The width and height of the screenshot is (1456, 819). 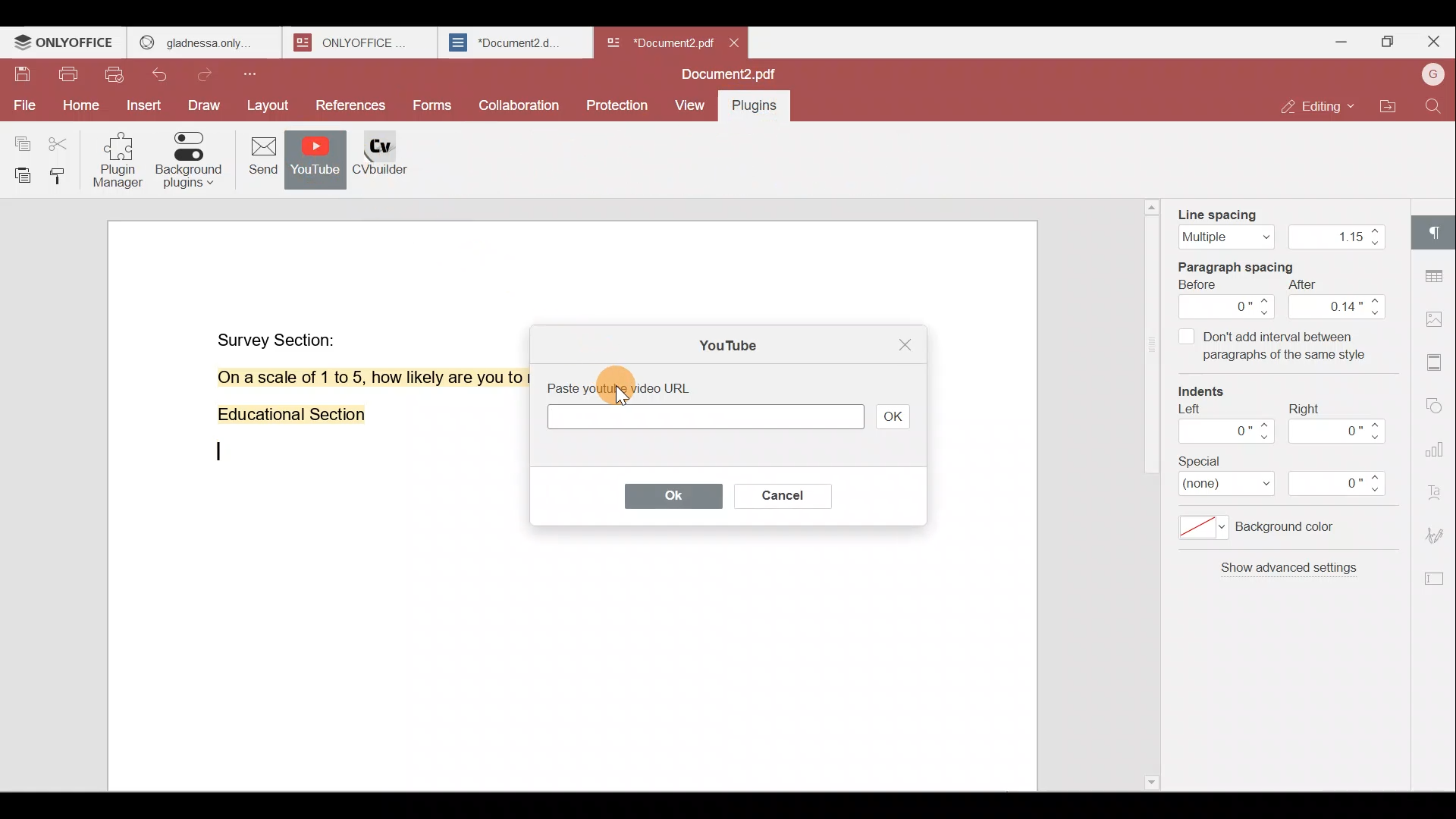 What do you see at coordinates (256, 74) in the screenshot?
I see `Customize quick access toolbar` at bounding box center [256, 74].